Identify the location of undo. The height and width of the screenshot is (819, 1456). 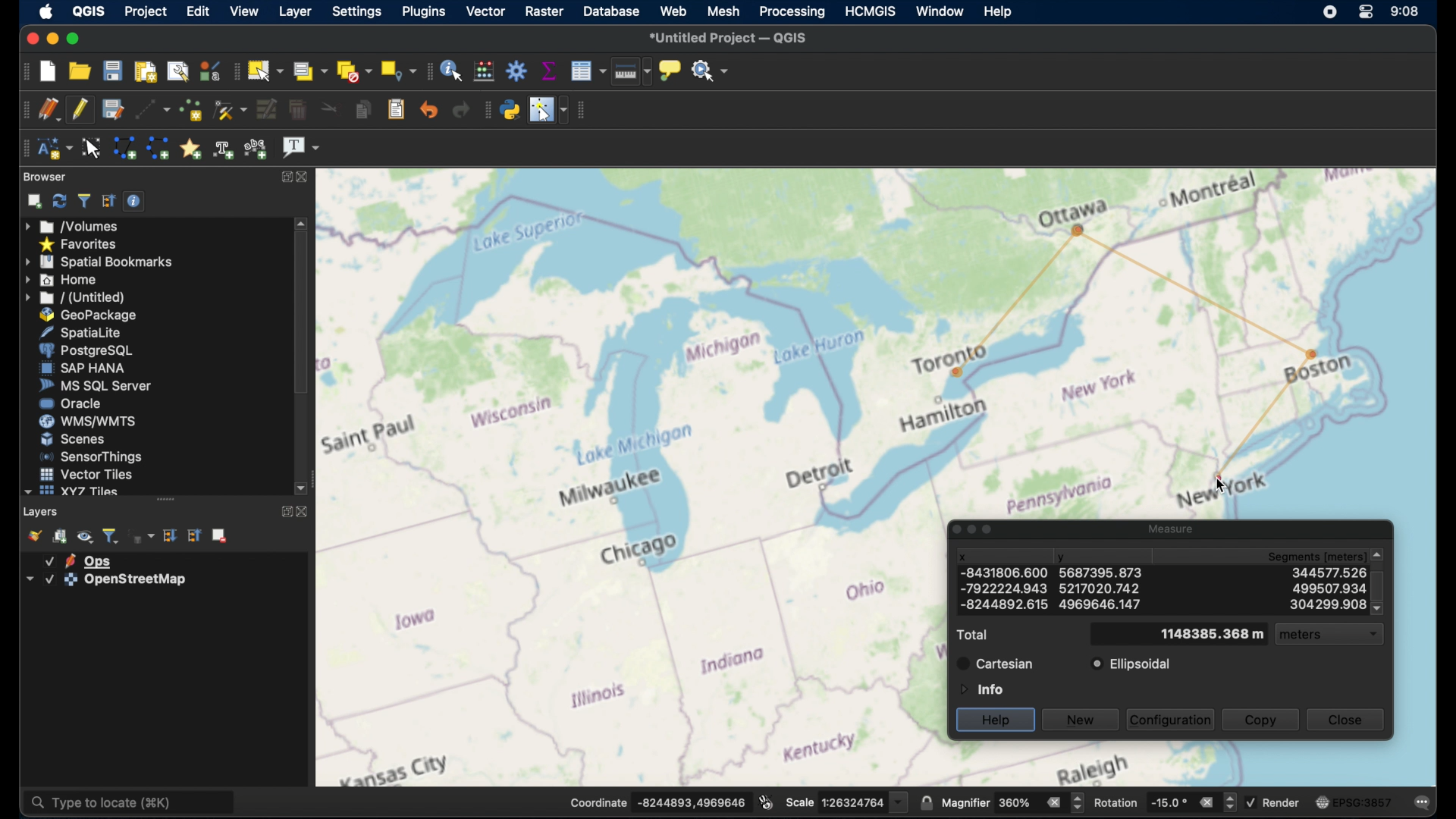
(429, 110).